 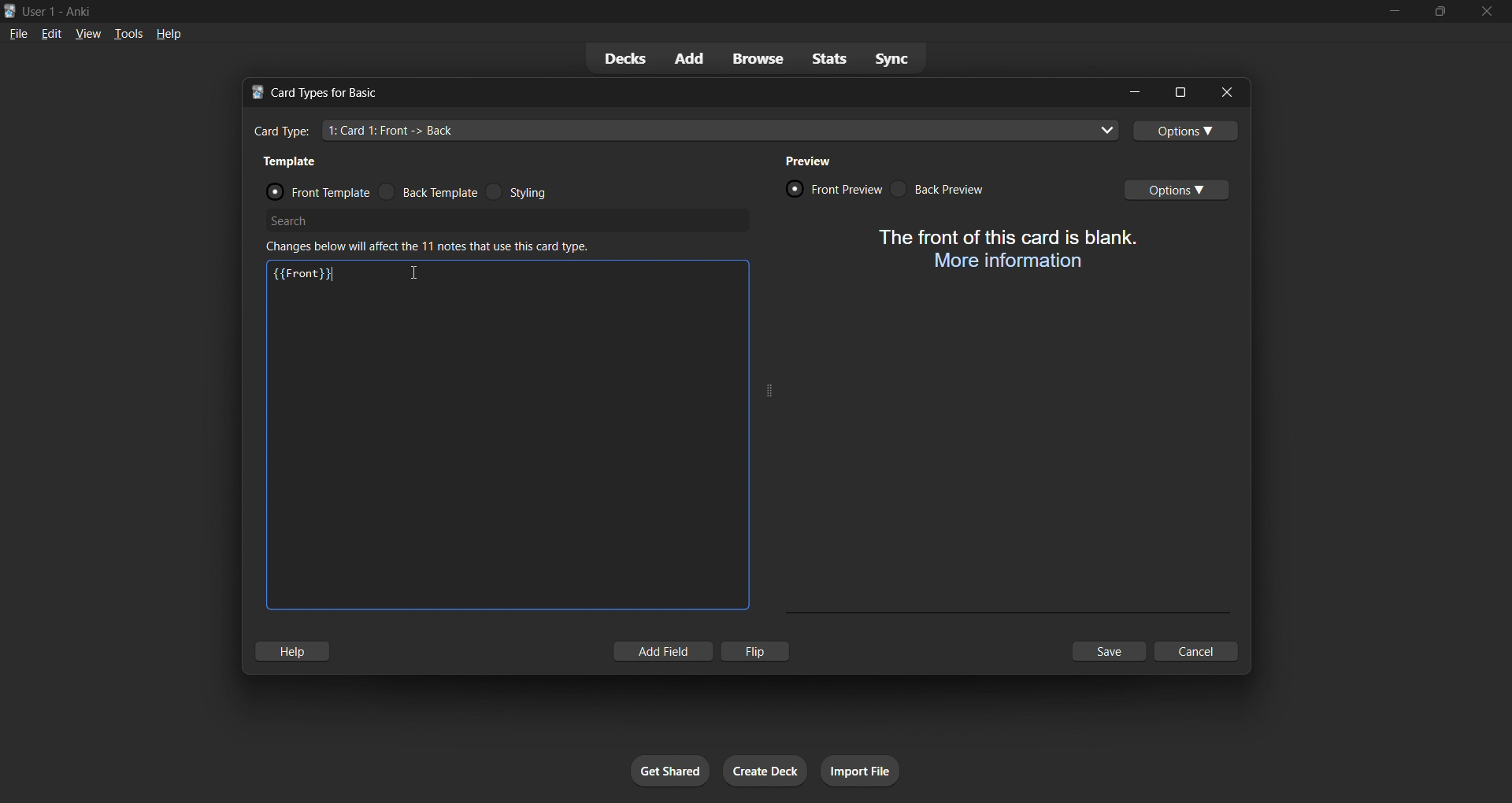 What do you see at coordinates (765, 770) in the screenshot?
I see ` create deck` at bounding box center [765, 770].